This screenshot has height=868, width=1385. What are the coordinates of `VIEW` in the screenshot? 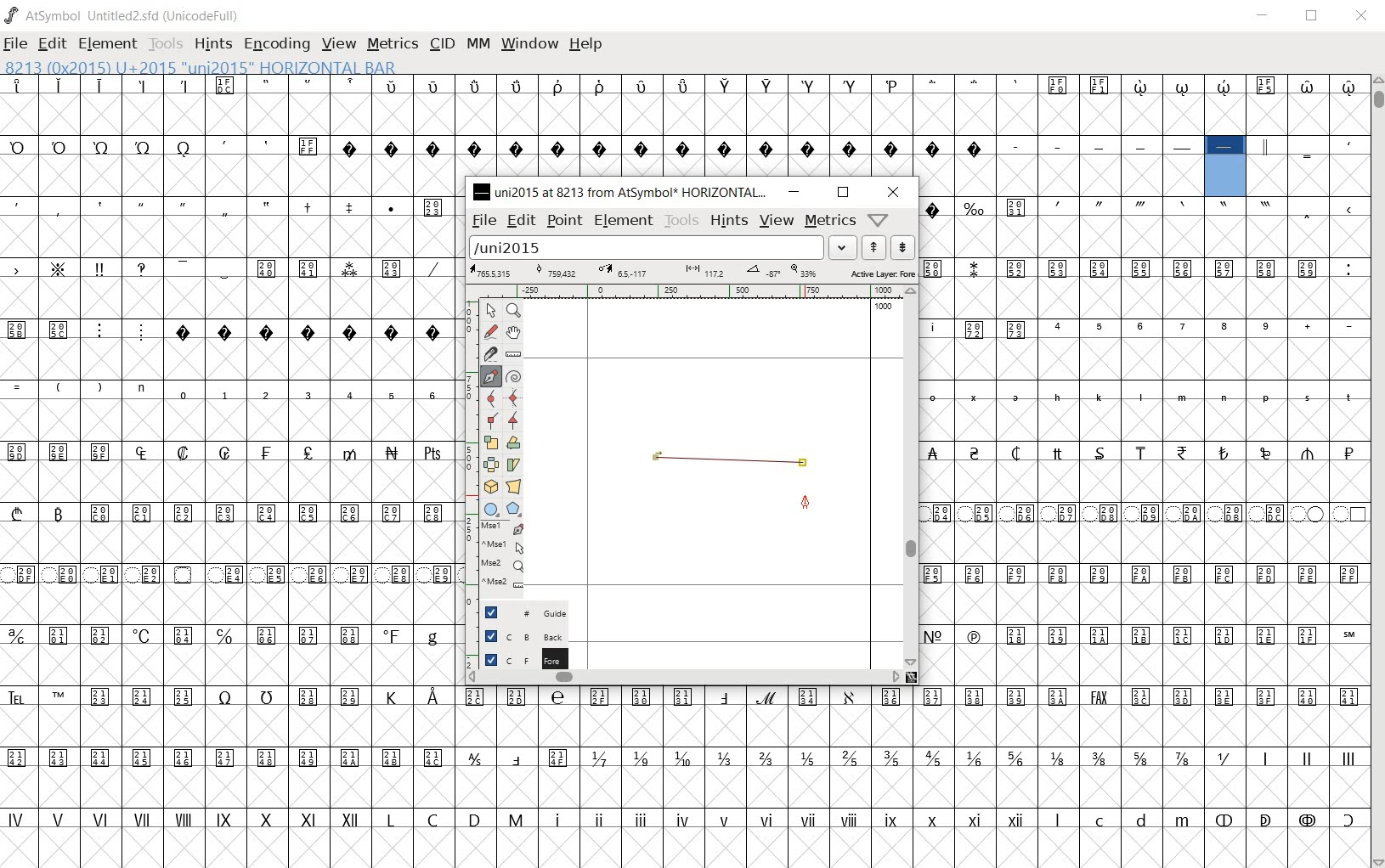 It's located at (339, 45).